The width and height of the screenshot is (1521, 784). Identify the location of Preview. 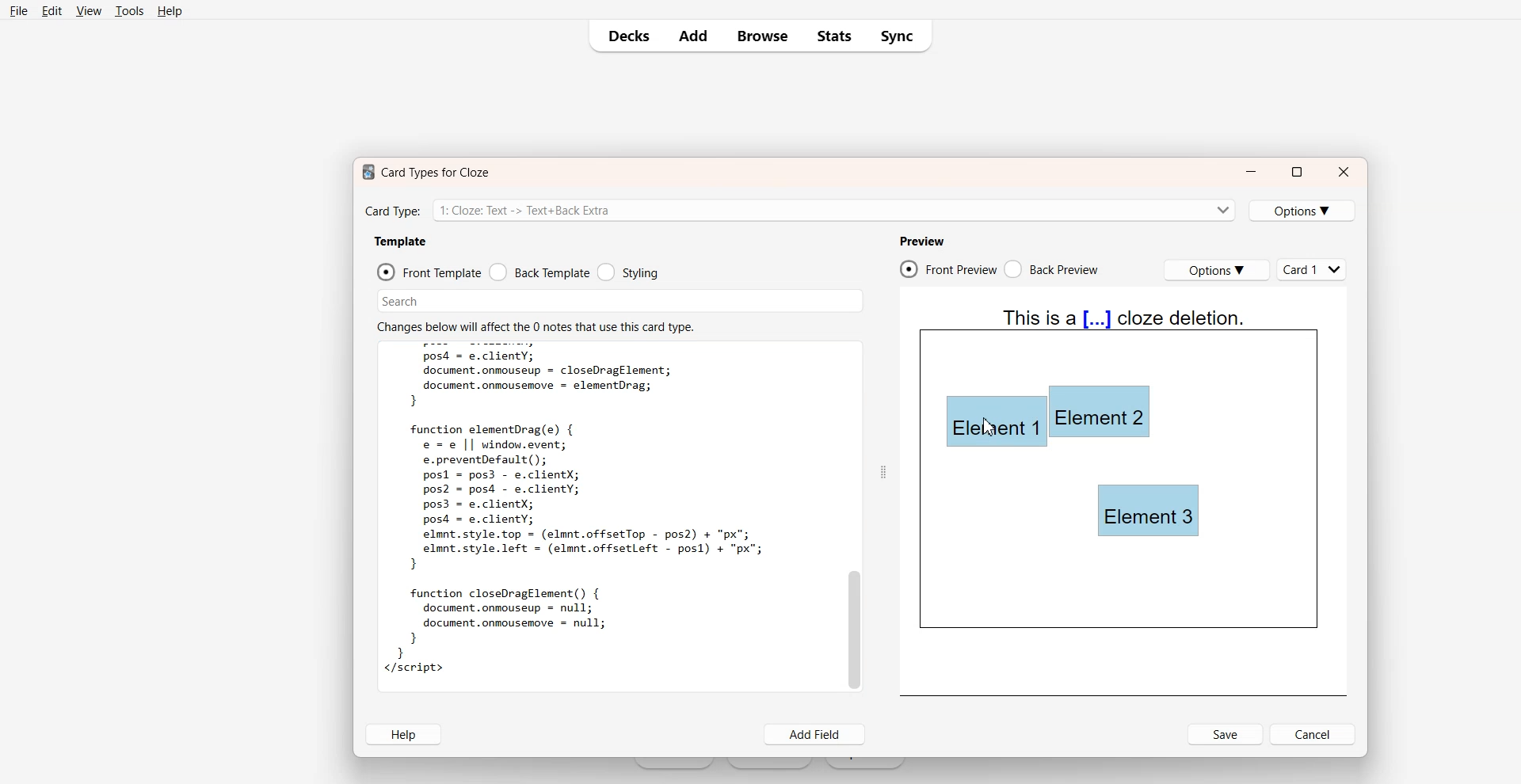
(921, 241).